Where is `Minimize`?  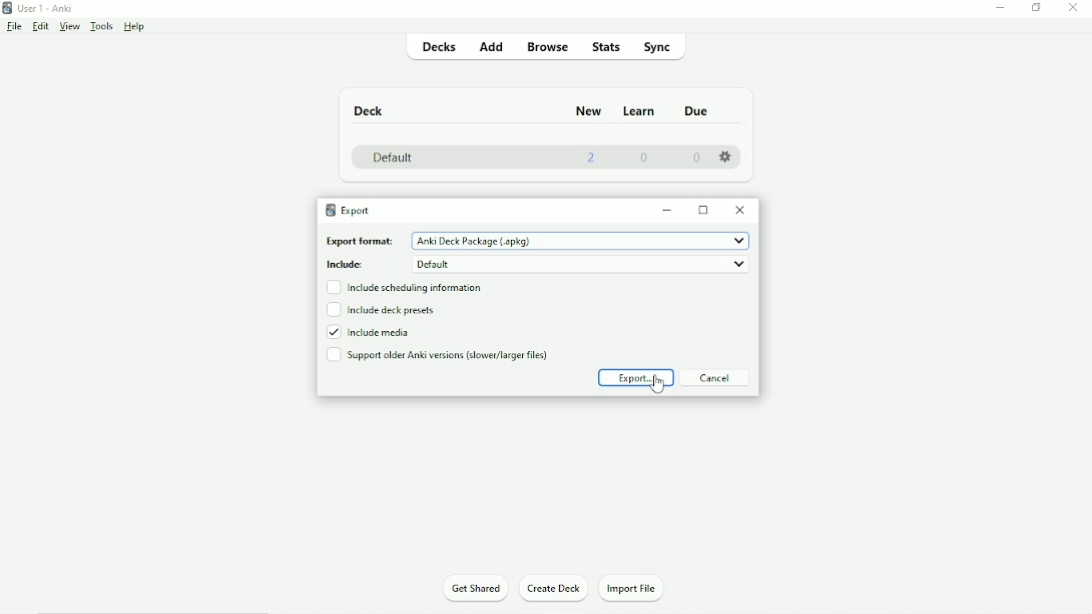 Minimize is located at coordinates (669, 211).